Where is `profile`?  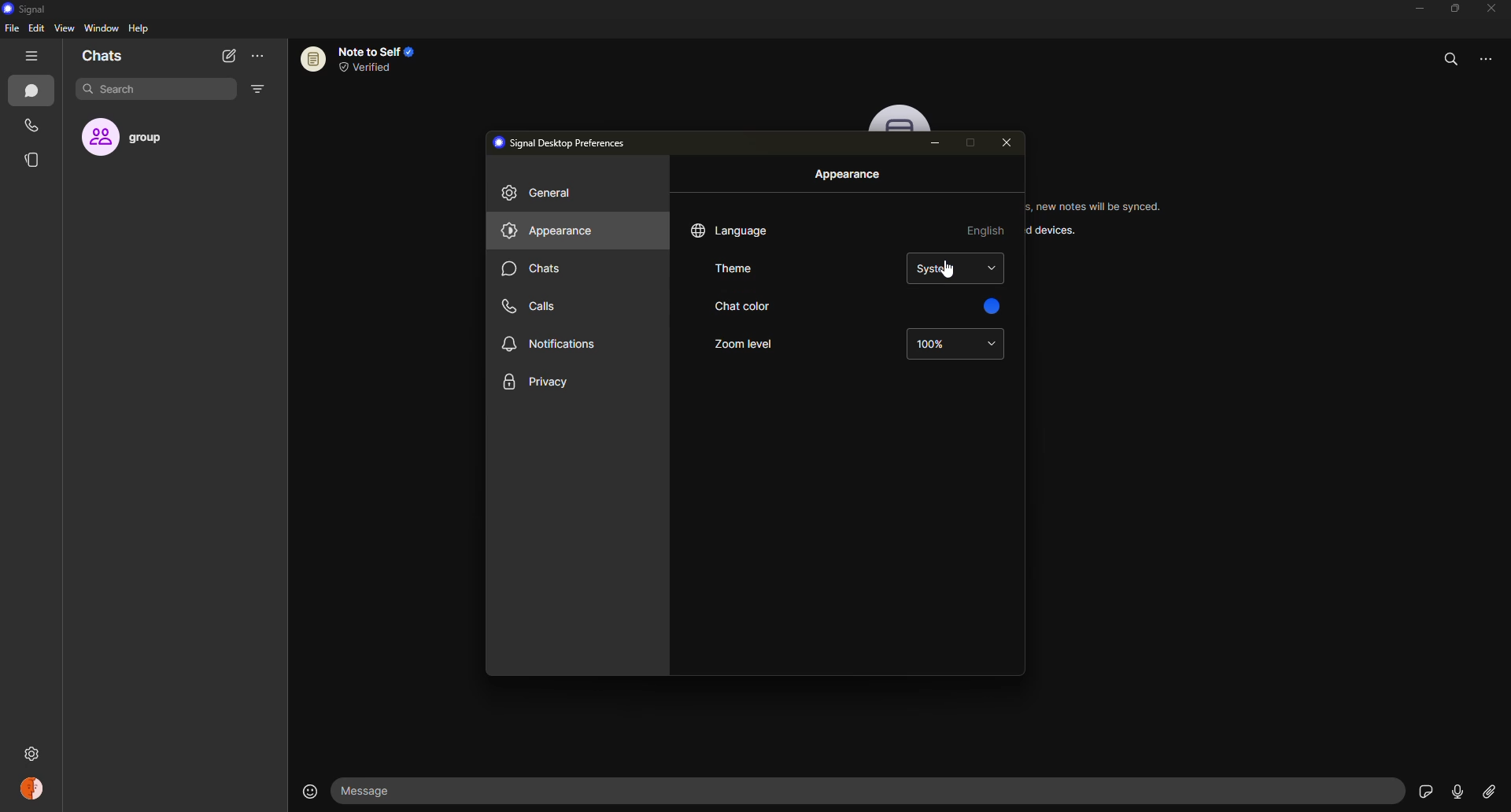
profile is located at coordinates (31, 788).